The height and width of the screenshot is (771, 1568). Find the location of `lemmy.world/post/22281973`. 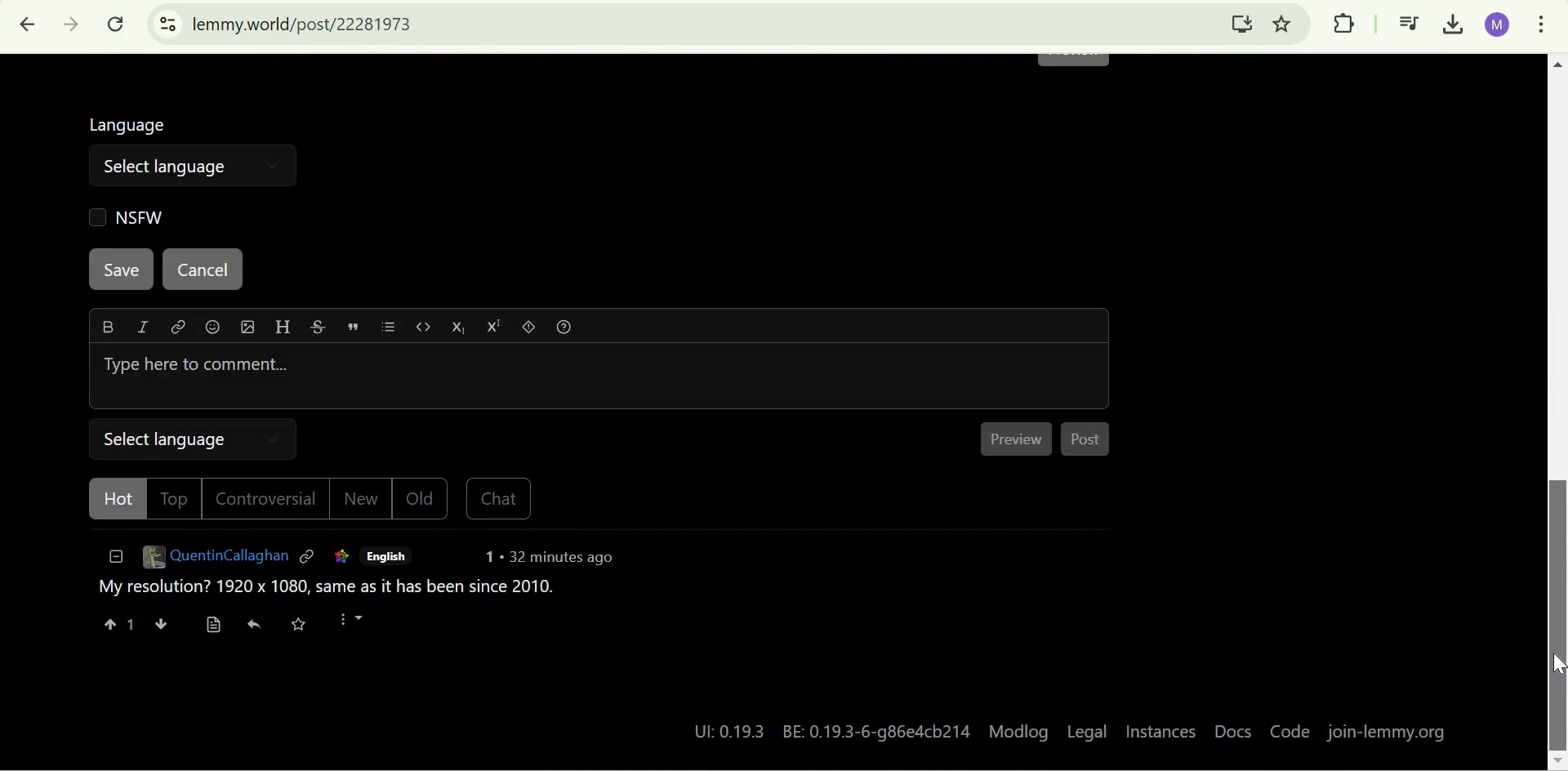

lemmy.world/post/22281973 is located at coordinates (305, 24).